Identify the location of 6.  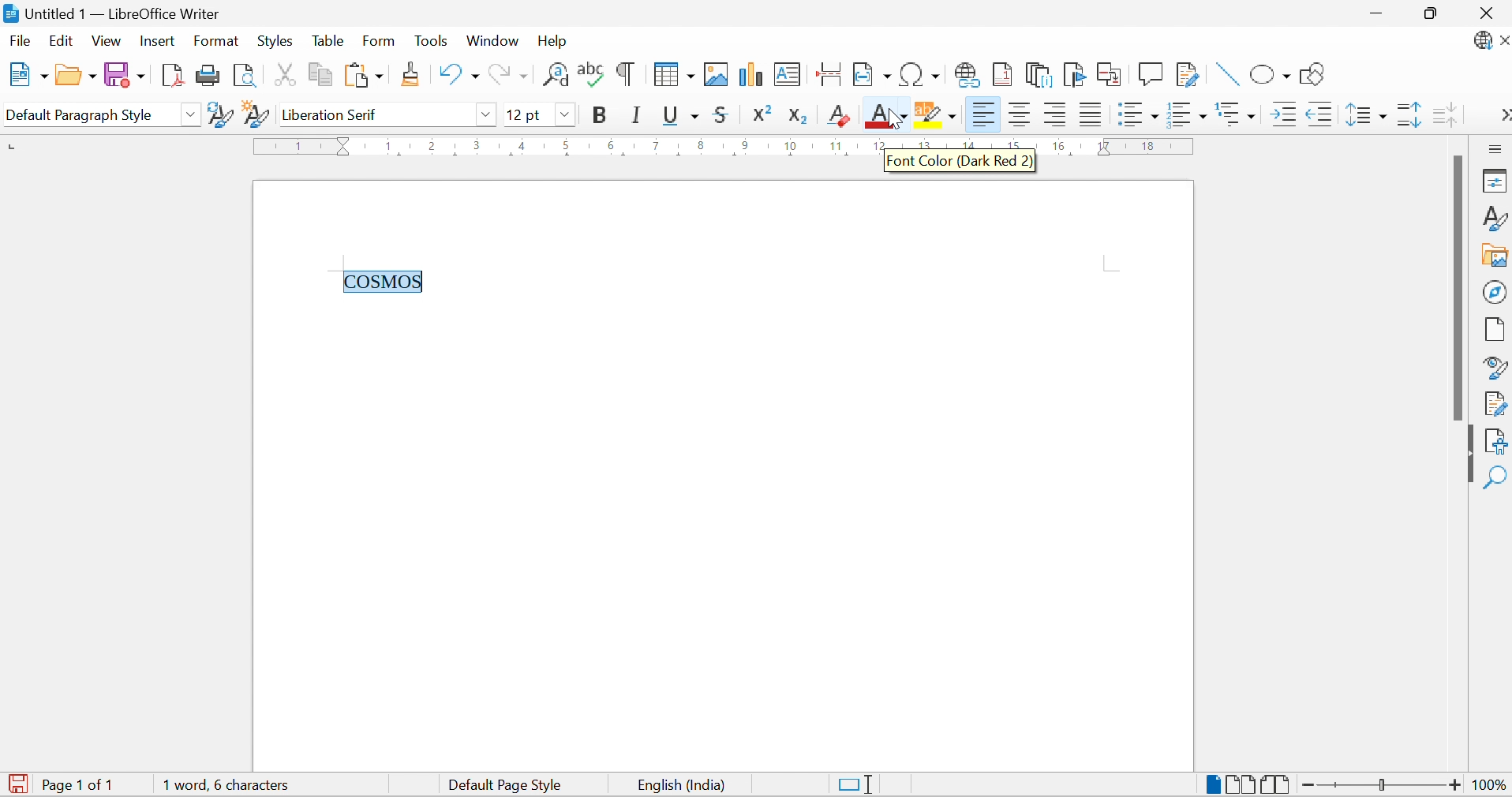
(609, 144).